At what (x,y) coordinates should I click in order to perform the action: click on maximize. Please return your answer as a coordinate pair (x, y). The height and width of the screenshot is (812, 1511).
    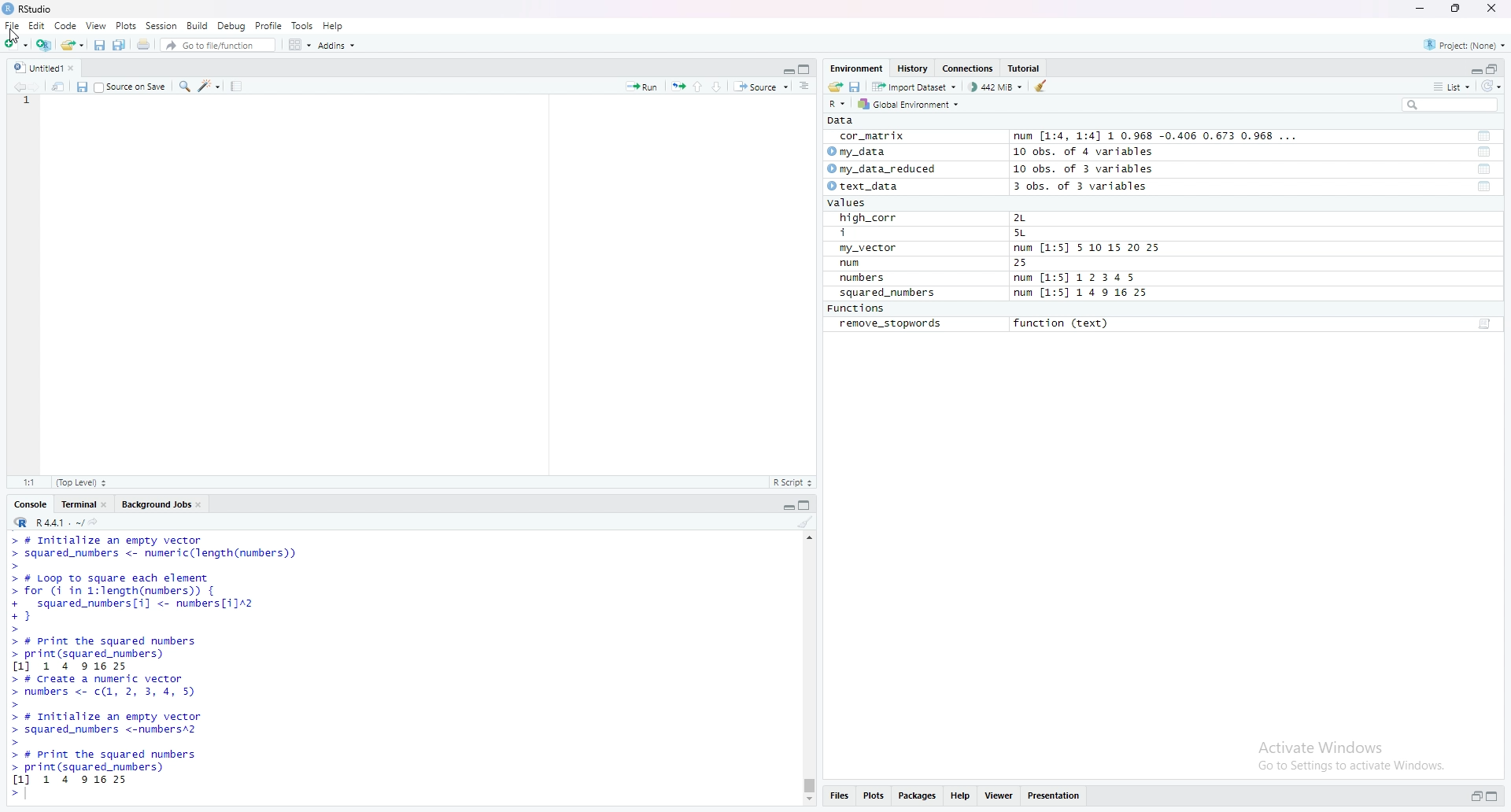
    Looking at the image, I should click on (804, 506).